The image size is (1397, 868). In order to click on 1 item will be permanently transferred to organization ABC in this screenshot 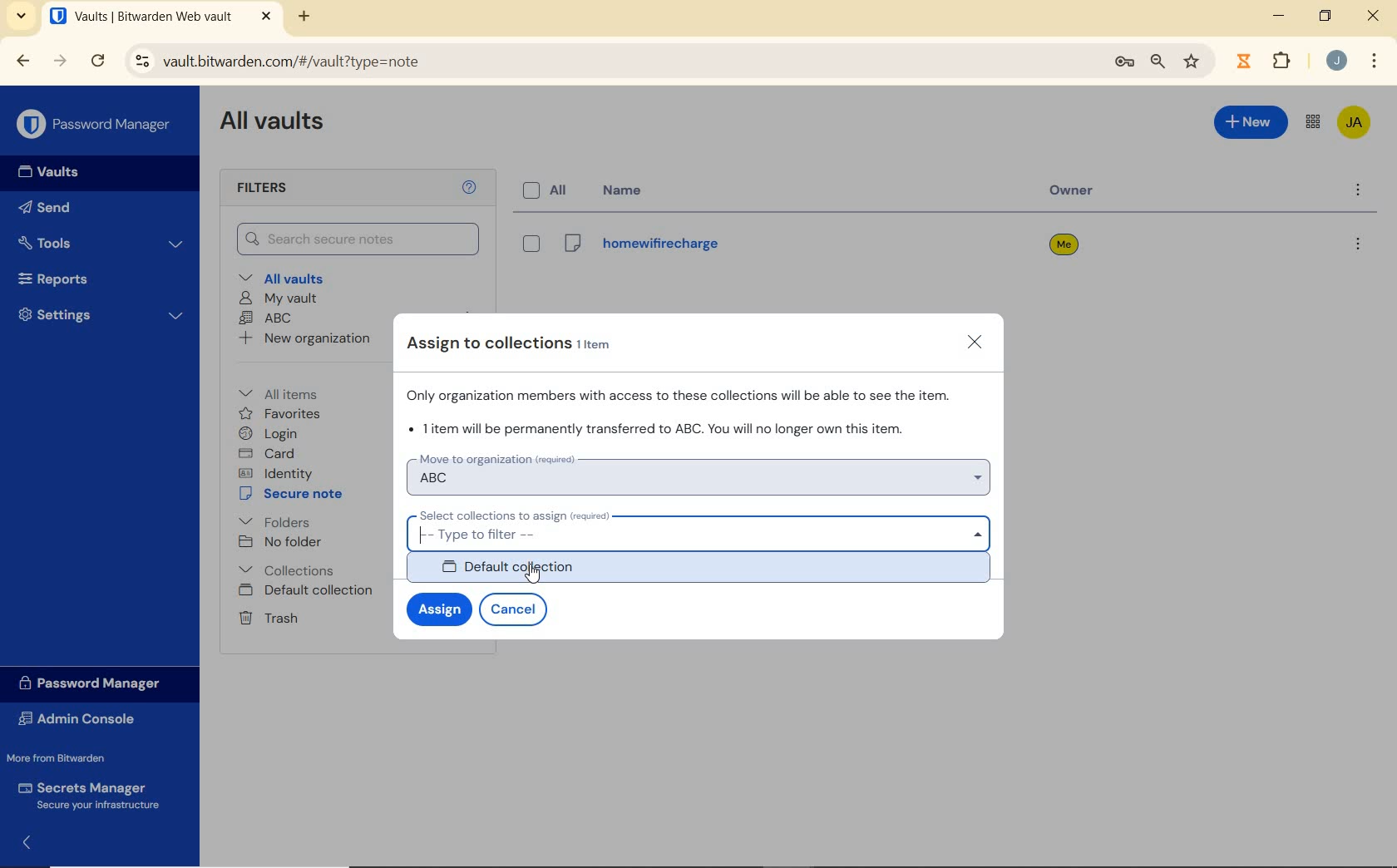, I will do `click(661, 428)`.